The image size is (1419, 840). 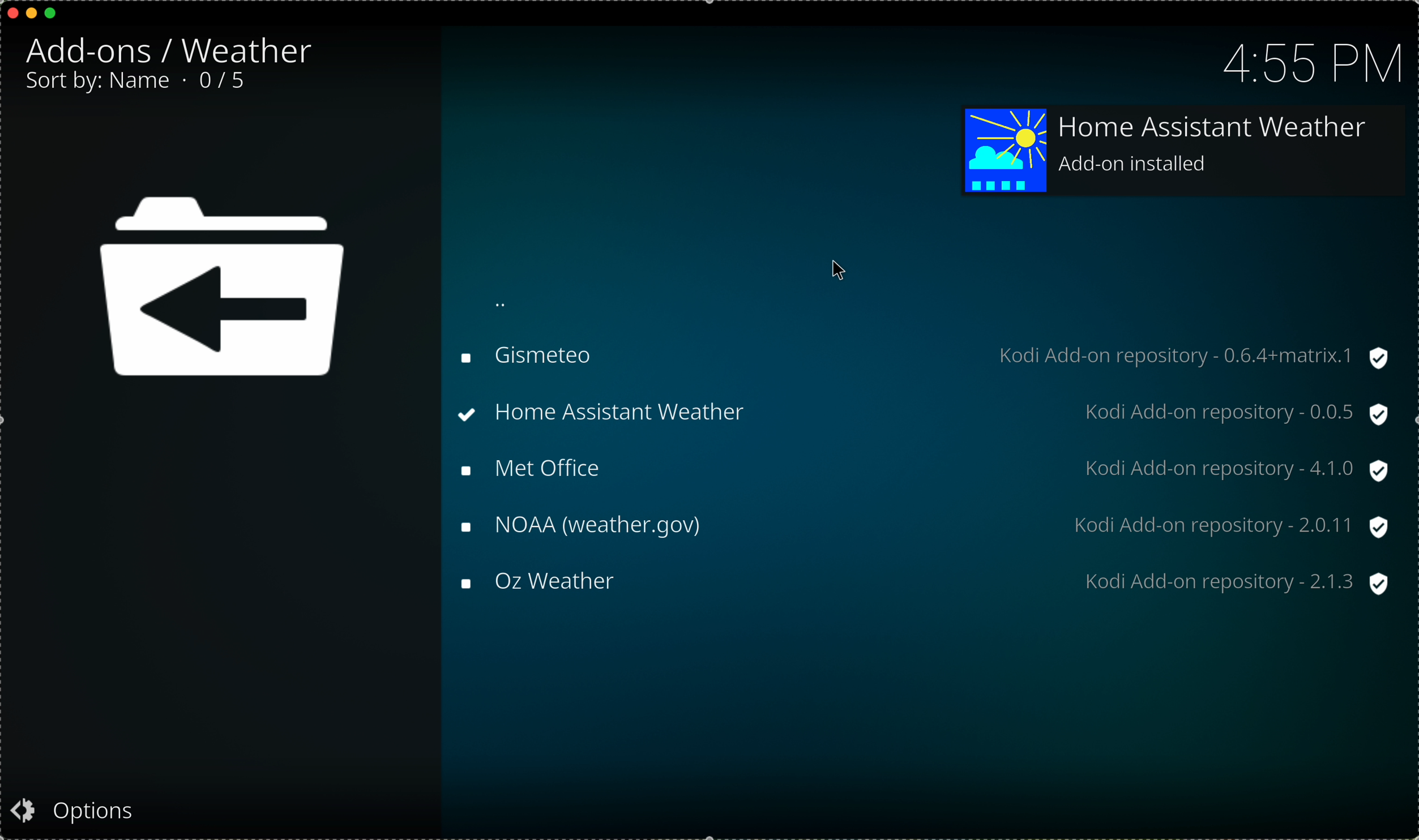 I want to click on options, so click(x=80, y=808).